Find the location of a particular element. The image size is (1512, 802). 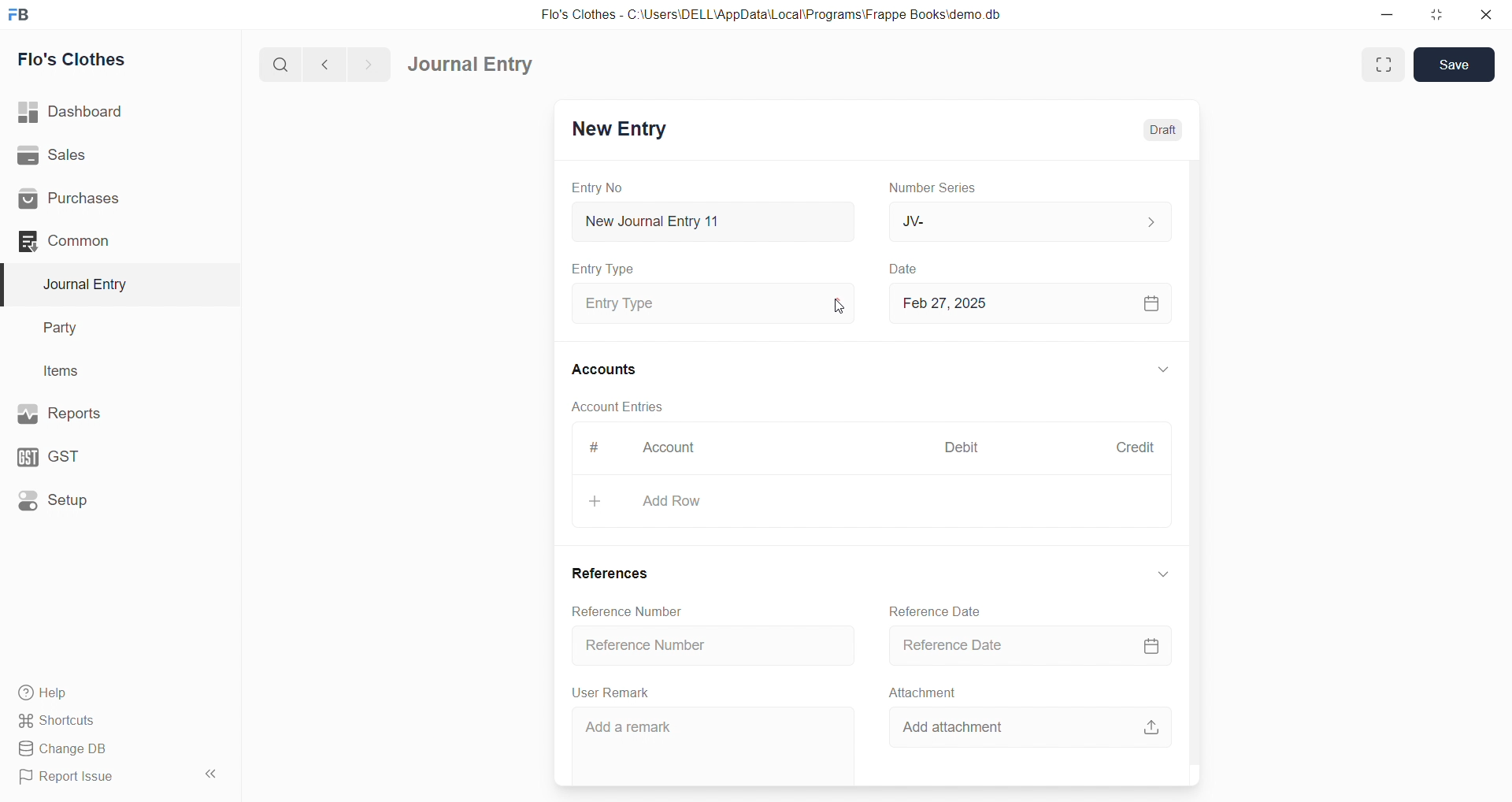

# is located at coordinates (594, 447).